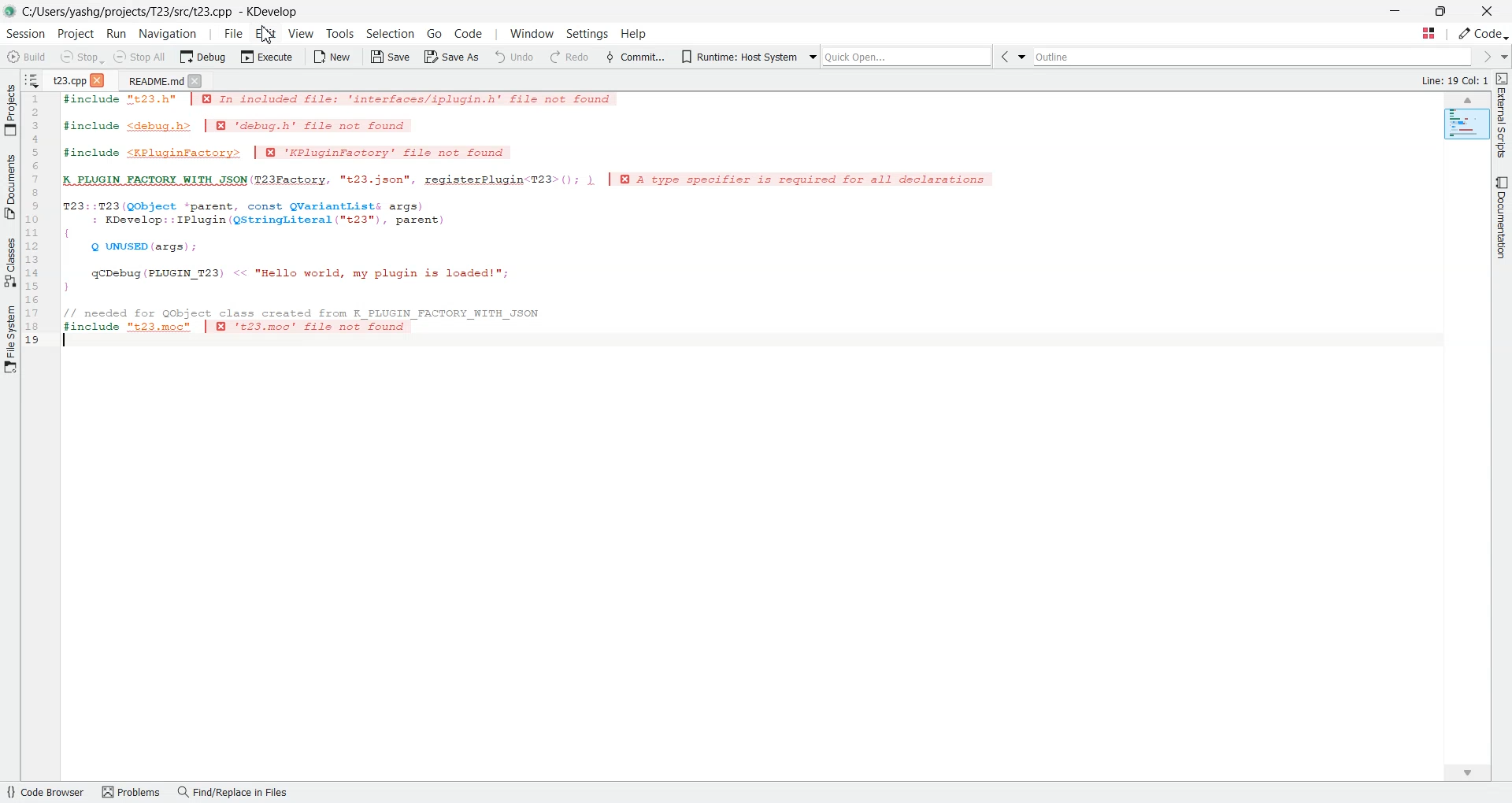 The height and width of the screenshot is (803, 1512). I want to click on include “t23.h" | W@ In included file: 'interfaces/iplugin.h’ file not found
include sdebug.h> | B 'debug.h’ file not found
include <KPluginFactory> | B 'KPluginFactory' file not found
_ PLUGIN FACTORY WITH JSON (T23Factory, "t23.json", registerPlugin<723>(); ) | B A type specifier is required for all declarations
23: :723 (QObject ‘parent, const QUariantListi args)
: KDevelop::IPlugin(Q@StringLiteral ("t23"), parent)
Q UNUSED (args) ;
qCDebug (PLUGIN_T23) << "Hello world, my plugin is loaded!";
/ needed for Qobject class created from K_PLUGIN FACTORY WITH_JSON
include "t23.moc” | @ '¢23.moc’ file not found, so click(537, 220).